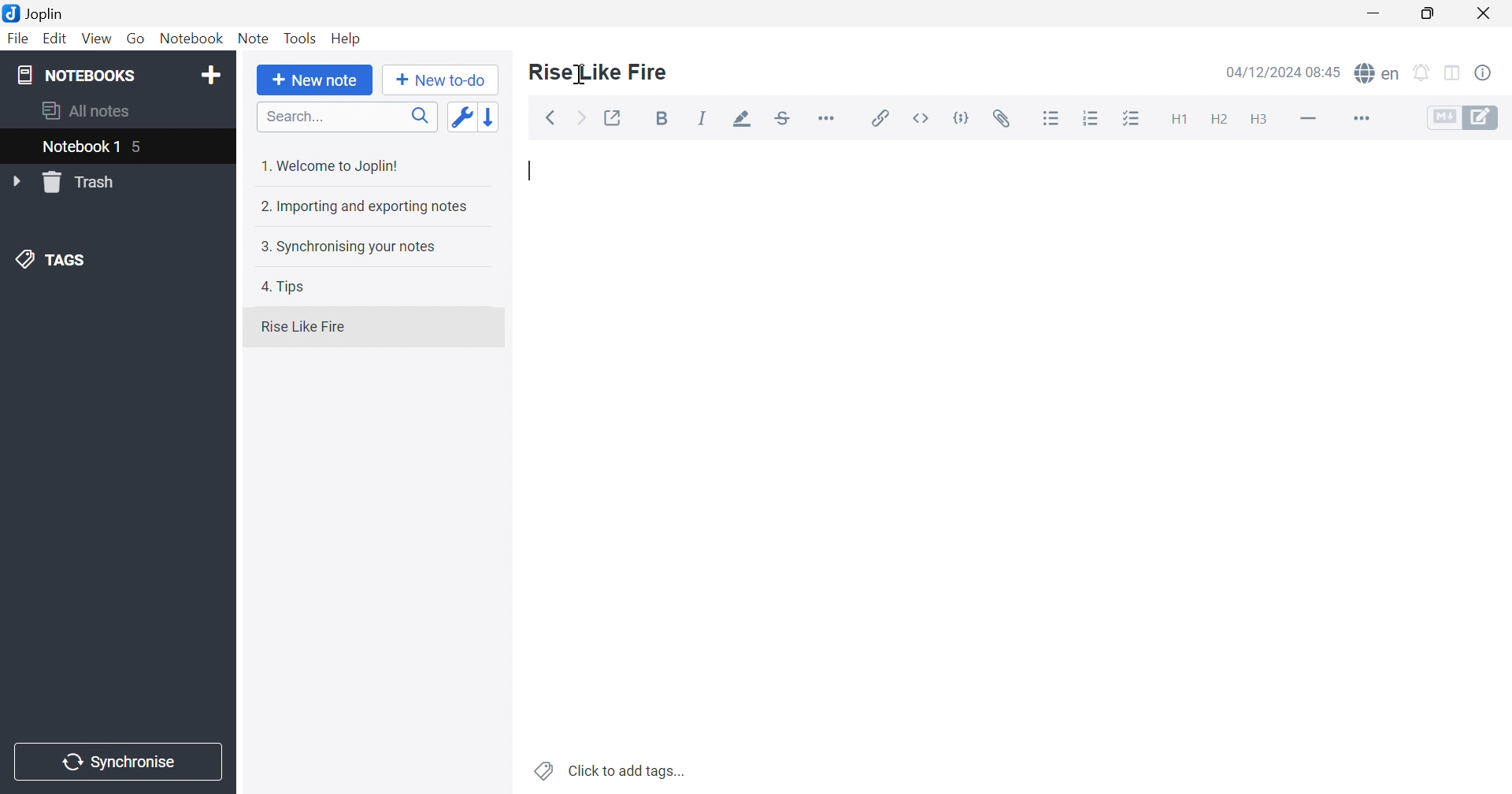 The width and height of the screenshot is (1512, 794). I want to click on Horizontal line, so click(1308, 120).